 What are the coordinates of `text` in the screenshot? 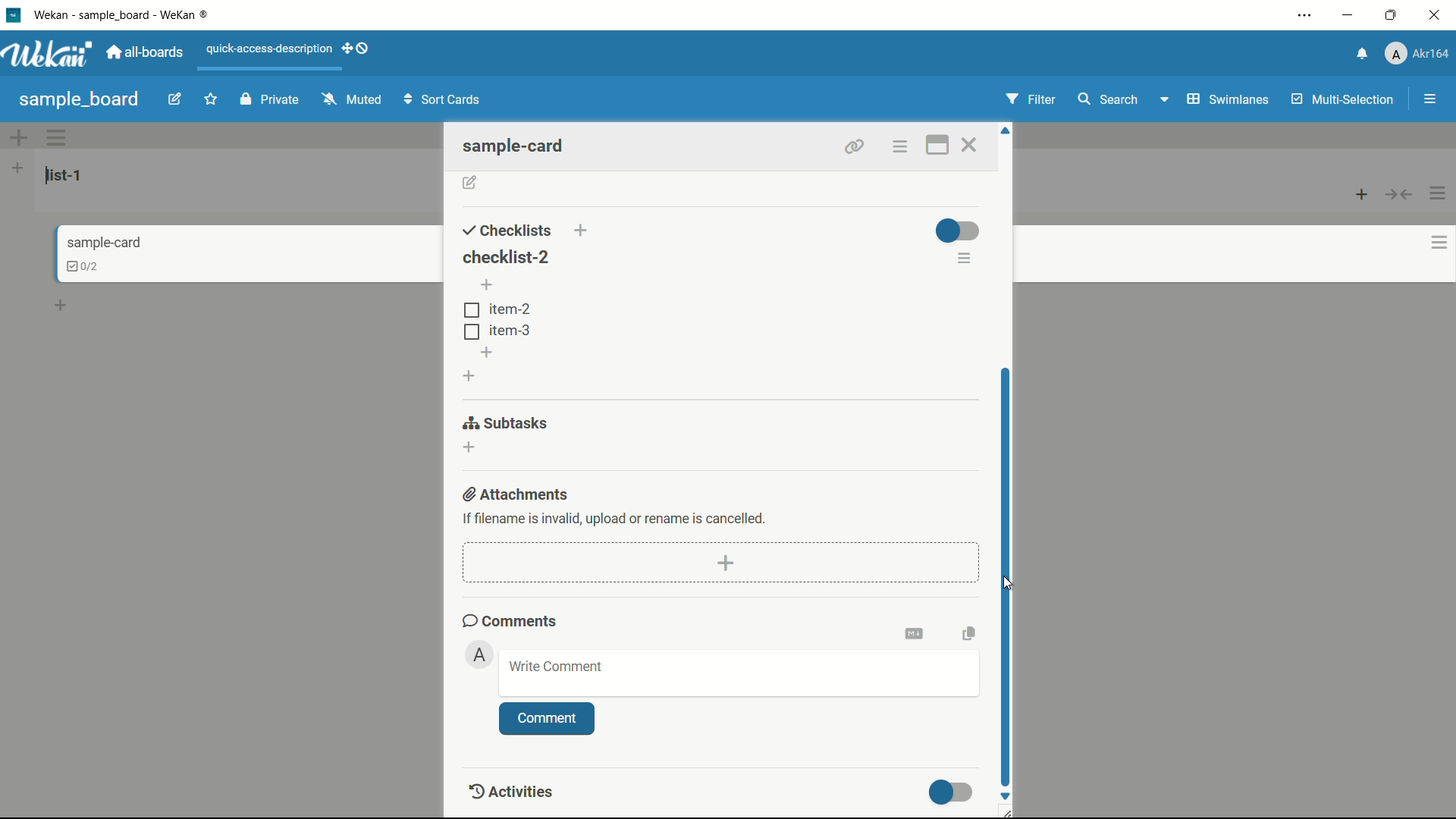 It's located at (616, 518).